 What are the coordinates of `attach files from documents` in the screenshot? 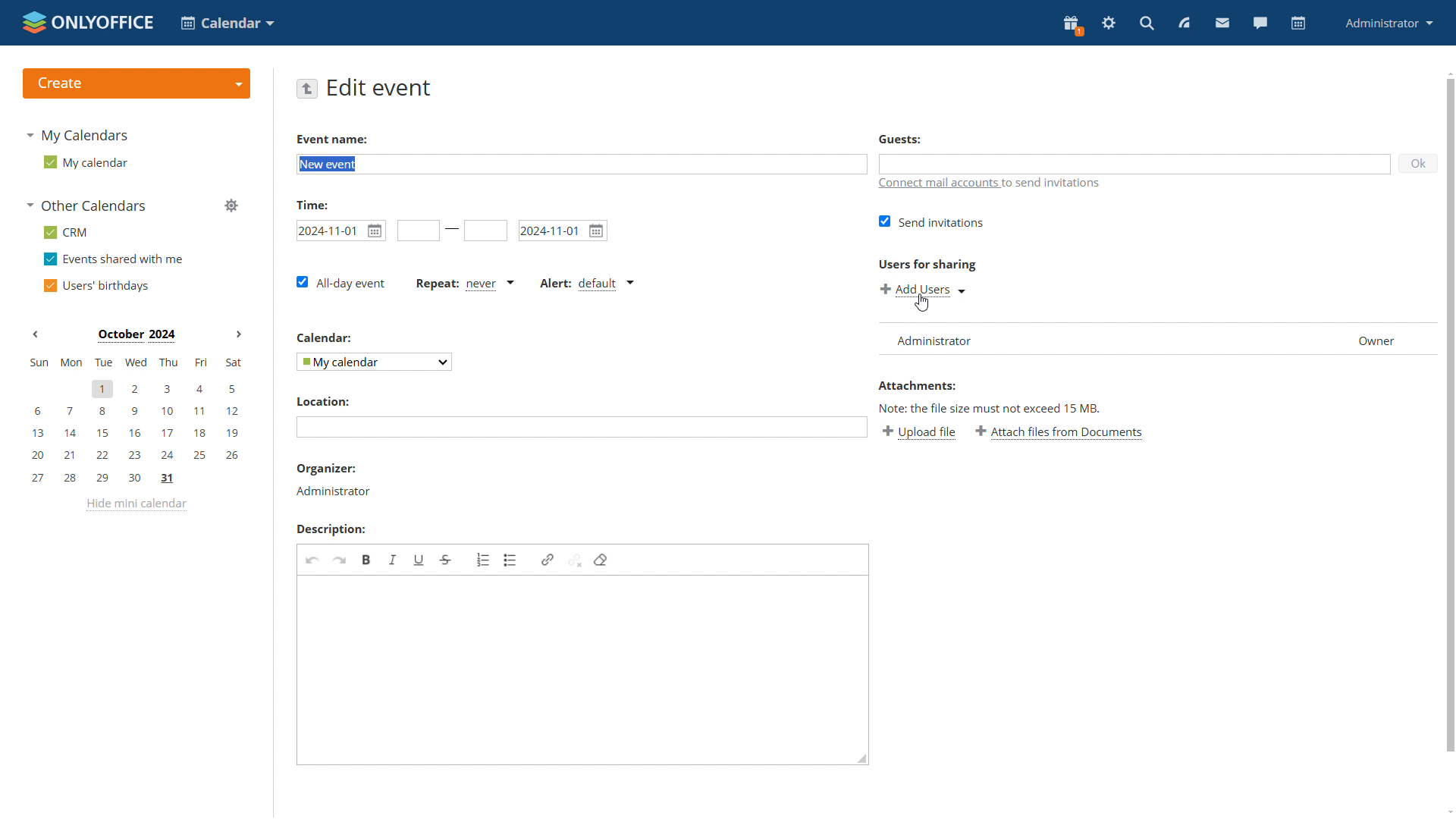 It's located at (1059, 432).